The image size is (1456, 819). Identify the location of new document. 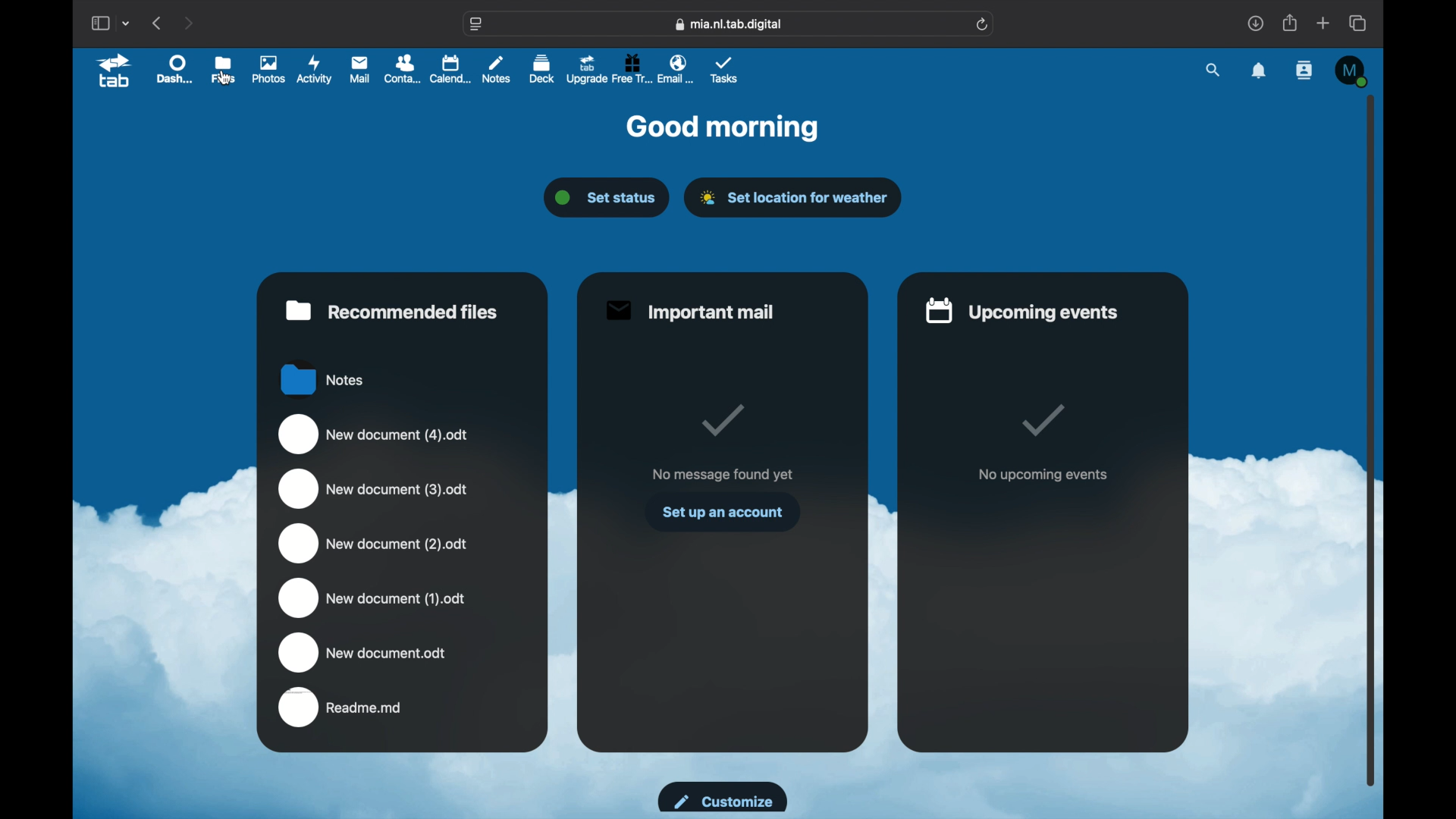
(373, 596).